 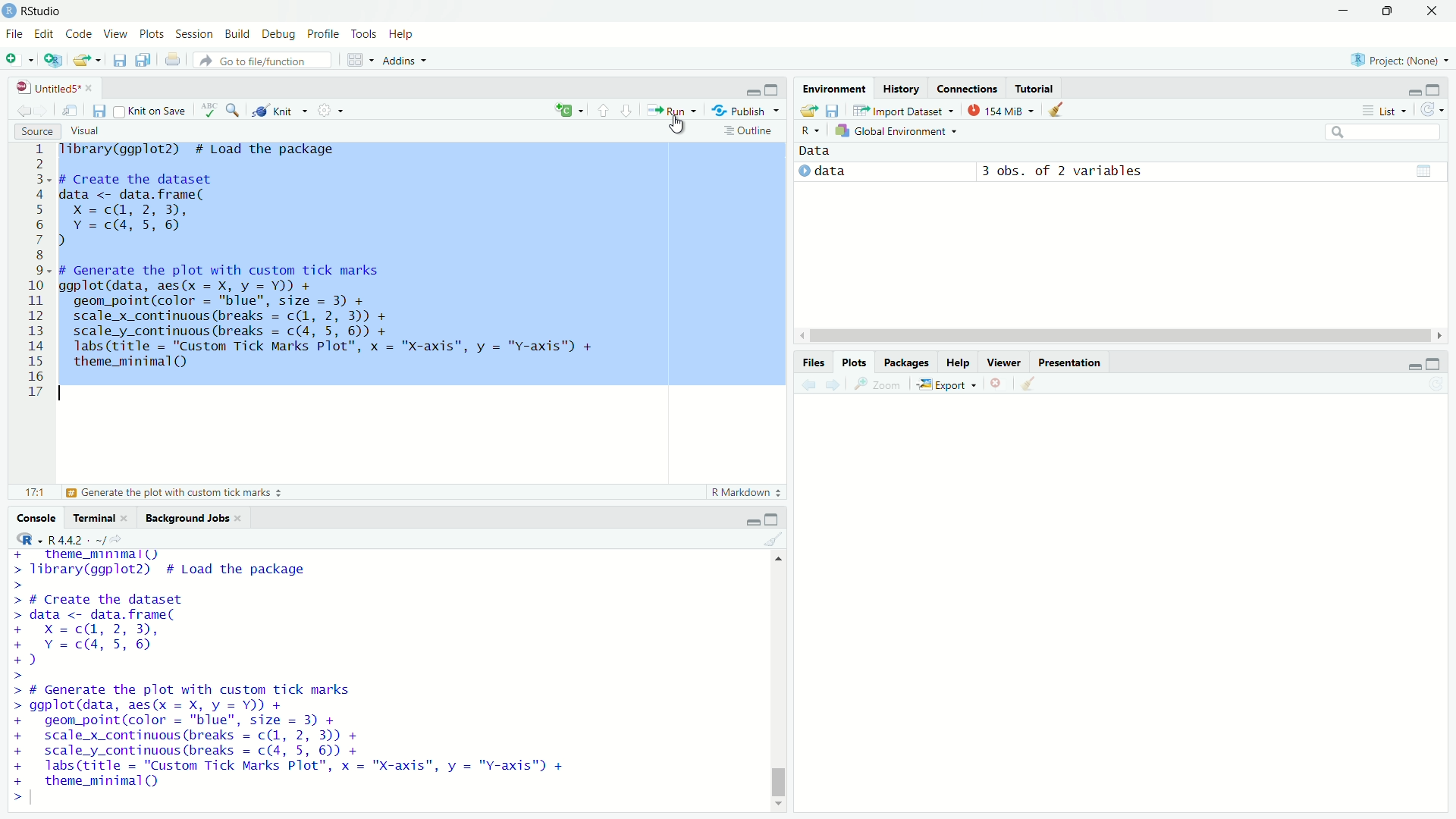 I want to click on save current document, so click(x=120, y=60).